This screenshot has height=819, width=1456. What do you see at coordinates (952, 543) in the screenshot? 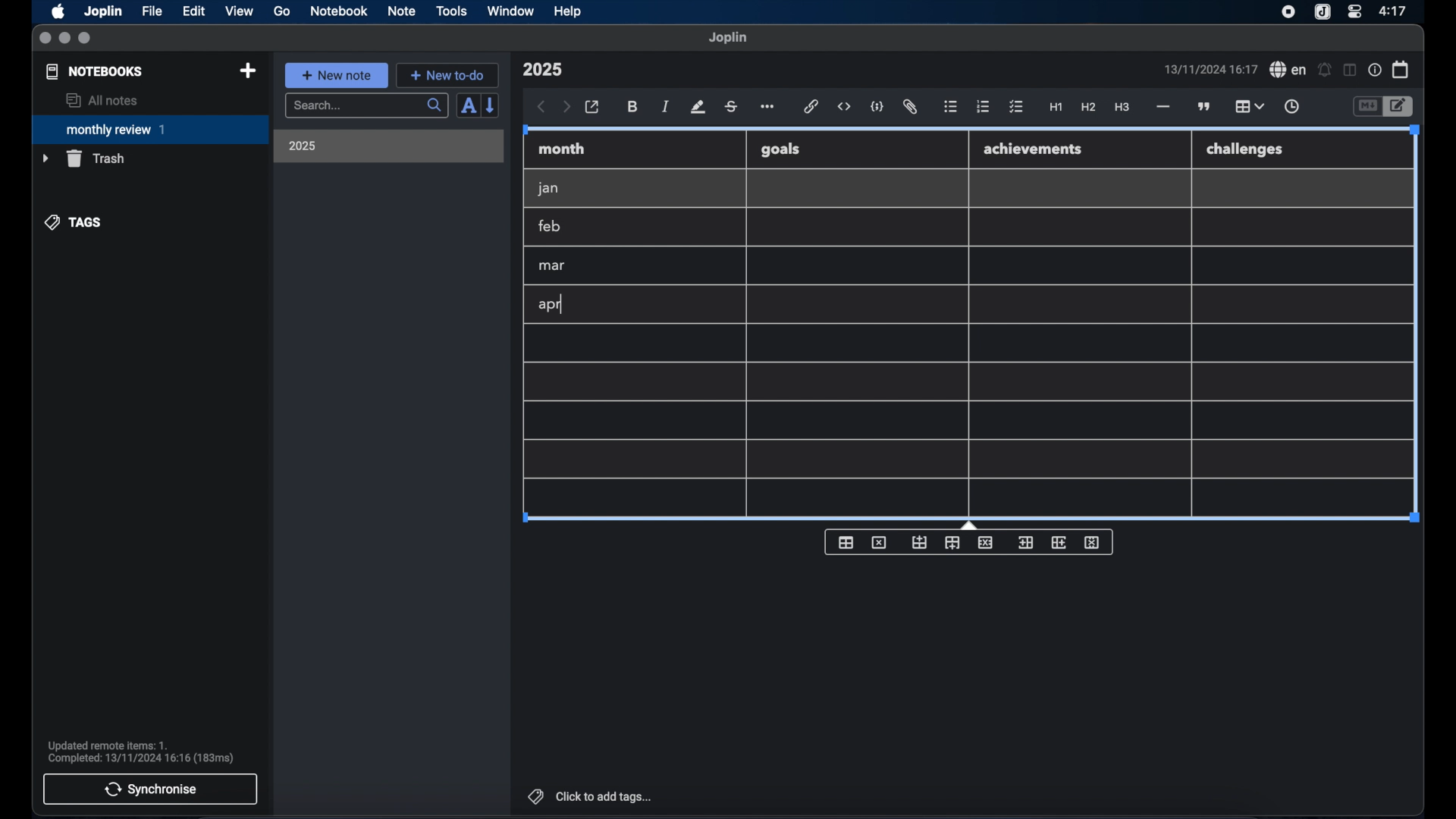
I see `insert row after` at bounding box center [952, 543].